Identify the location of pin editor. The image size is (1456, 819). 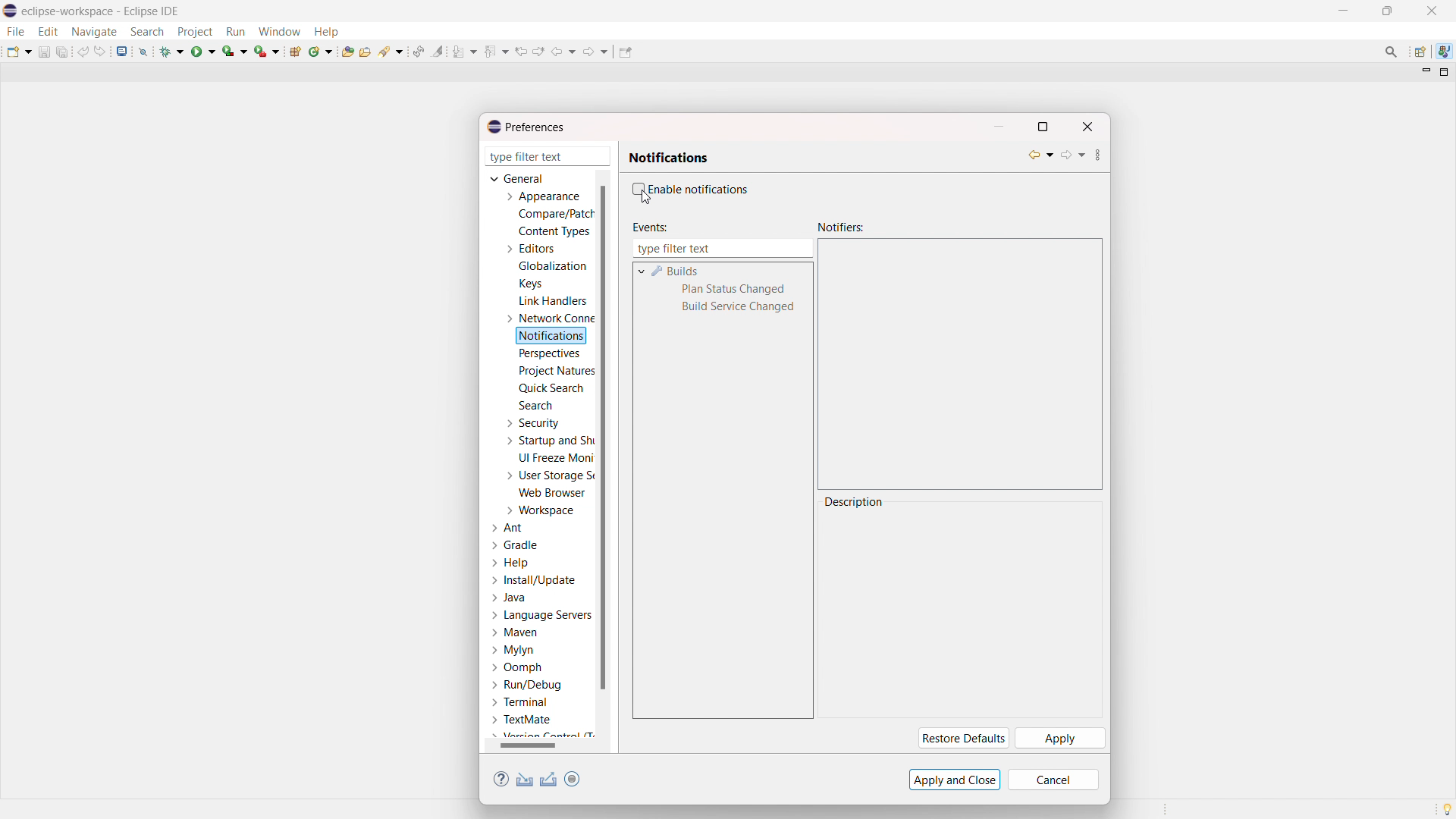
(625, 52).